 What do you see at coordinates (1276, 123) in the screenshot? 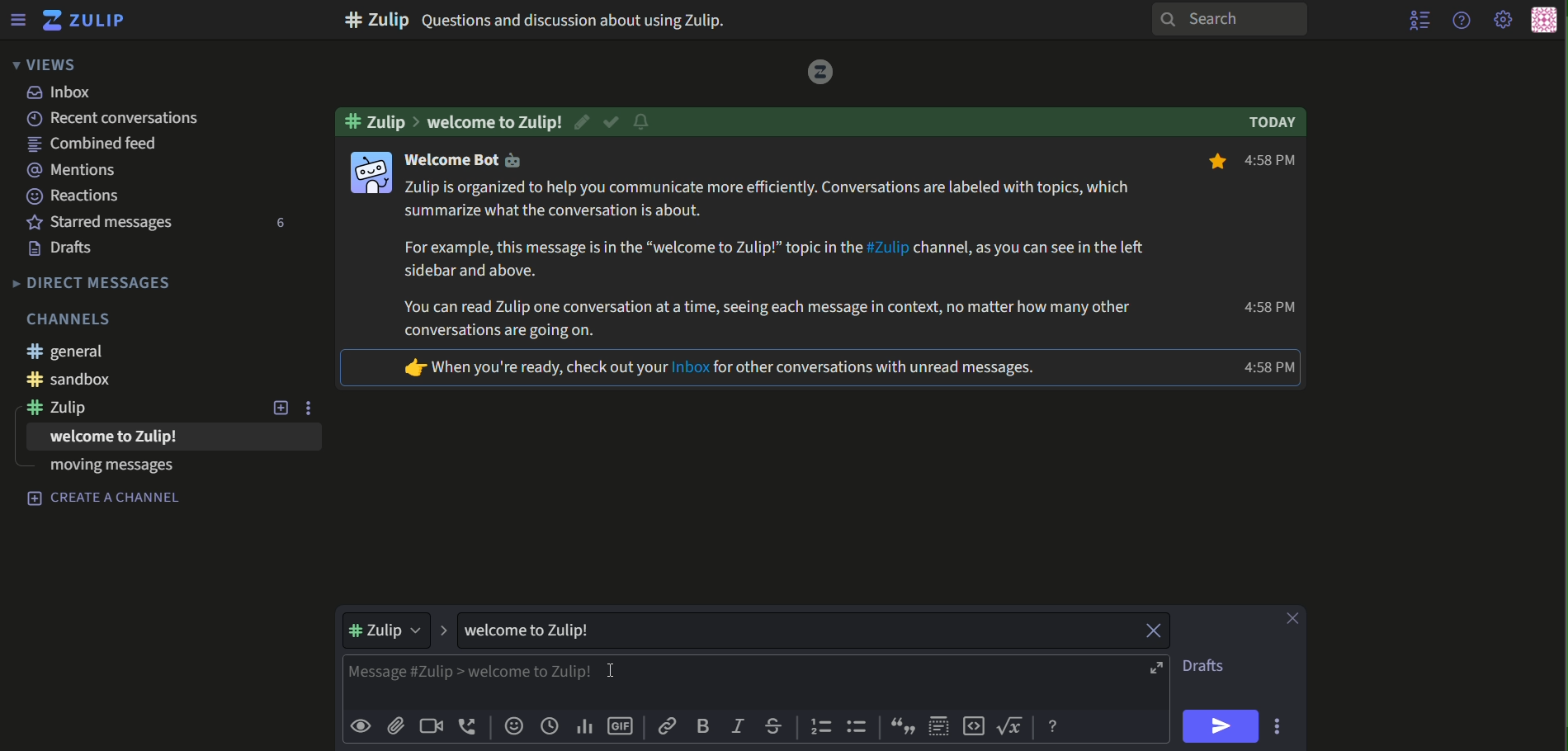
I see `text` at bounding box center [1276, 123].